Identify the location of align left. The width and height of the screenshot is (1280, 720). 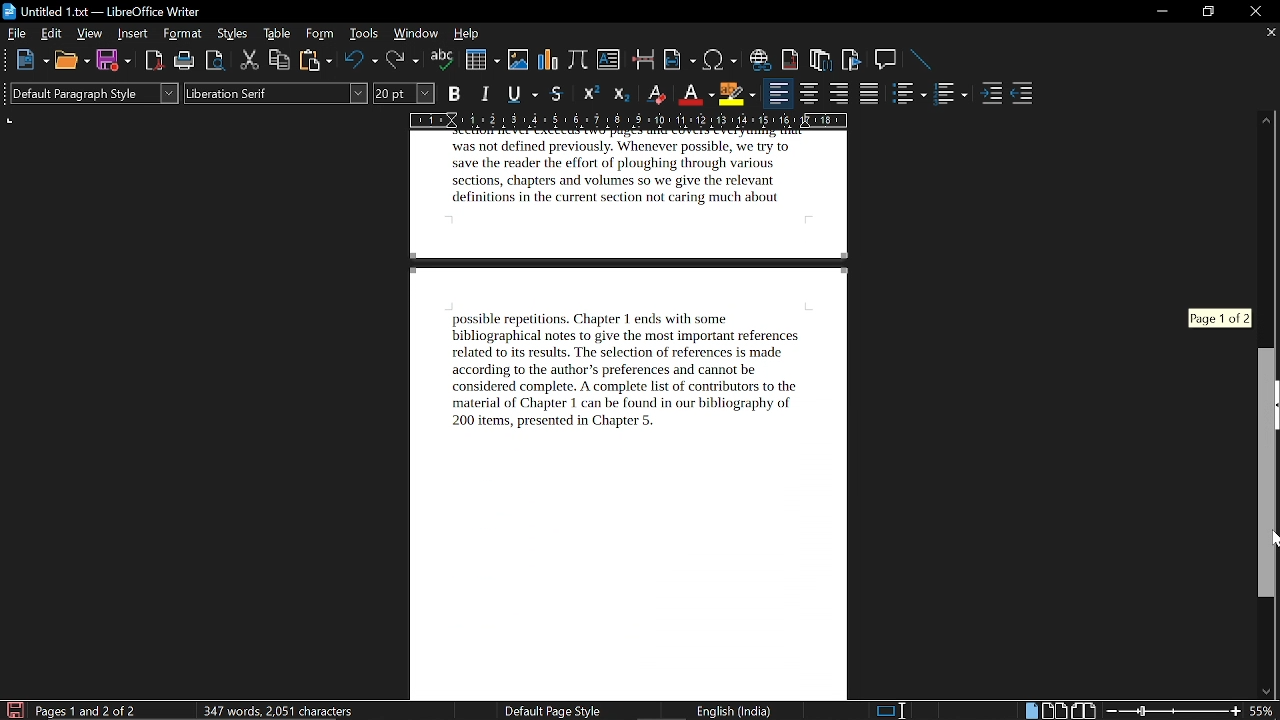
(777, 95).